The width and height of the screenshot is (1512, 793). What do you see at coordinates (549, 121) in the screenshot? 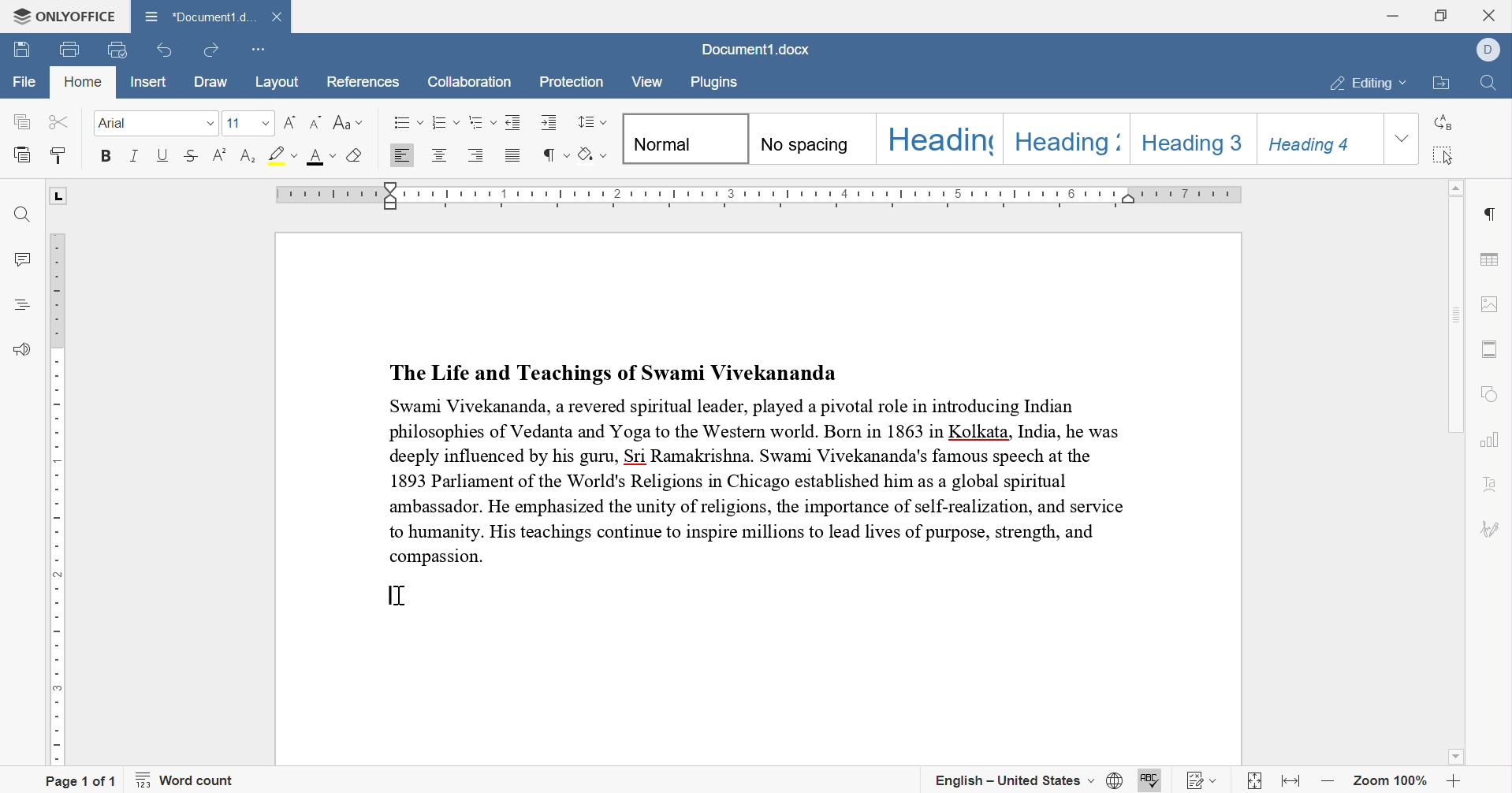
I see `increase indent` at bounding box center [549, 121].